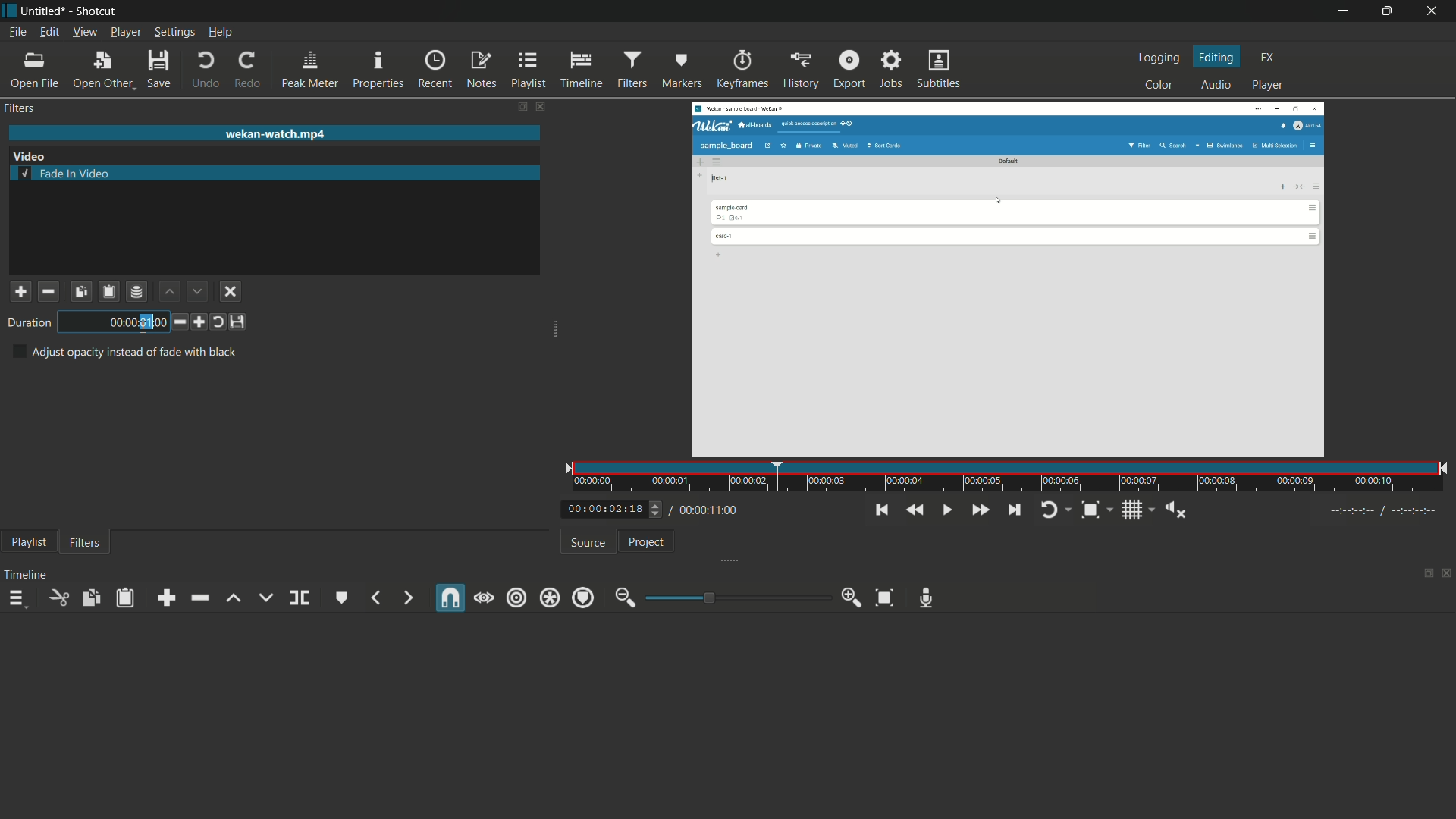 The height and width of the screenshot is (819, 1456). Describe the element at coordinates (681, 71) in the screenshot. I see `markers` at that location.